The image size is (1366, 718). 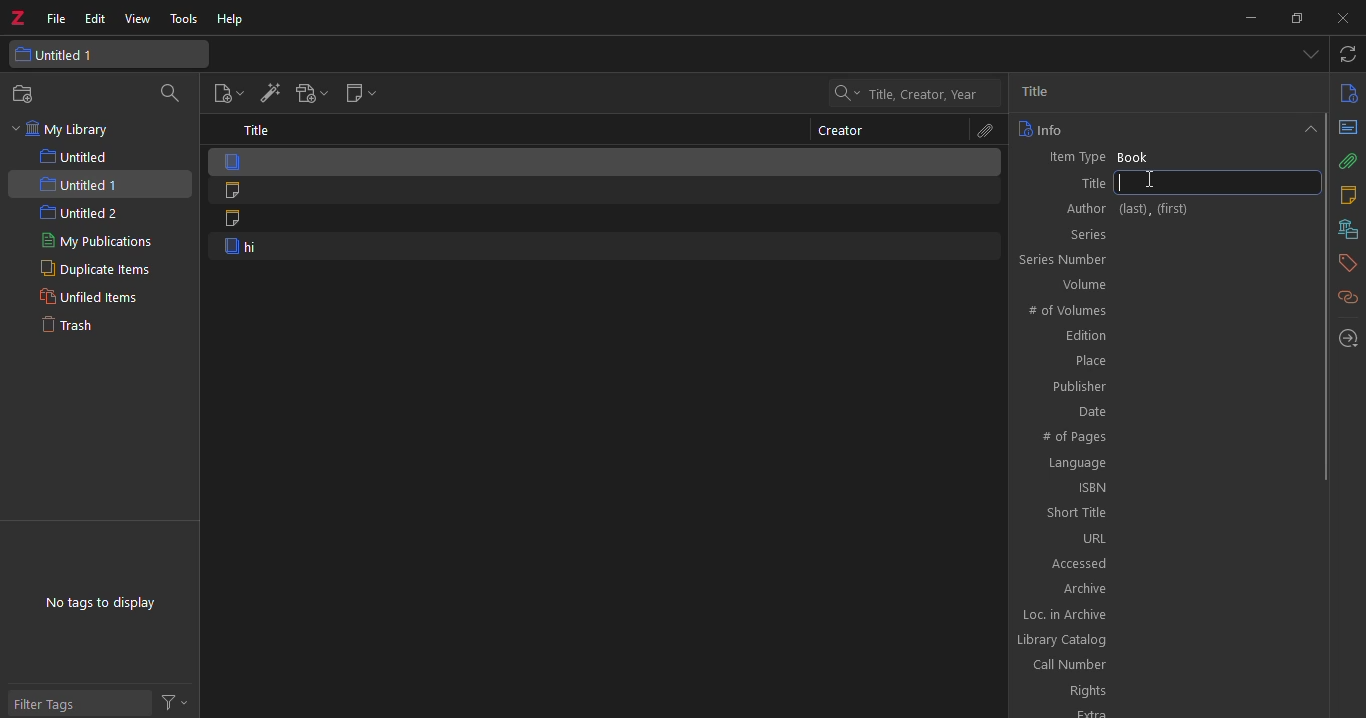 I want to click on expand, so click(x=1307, y=127).